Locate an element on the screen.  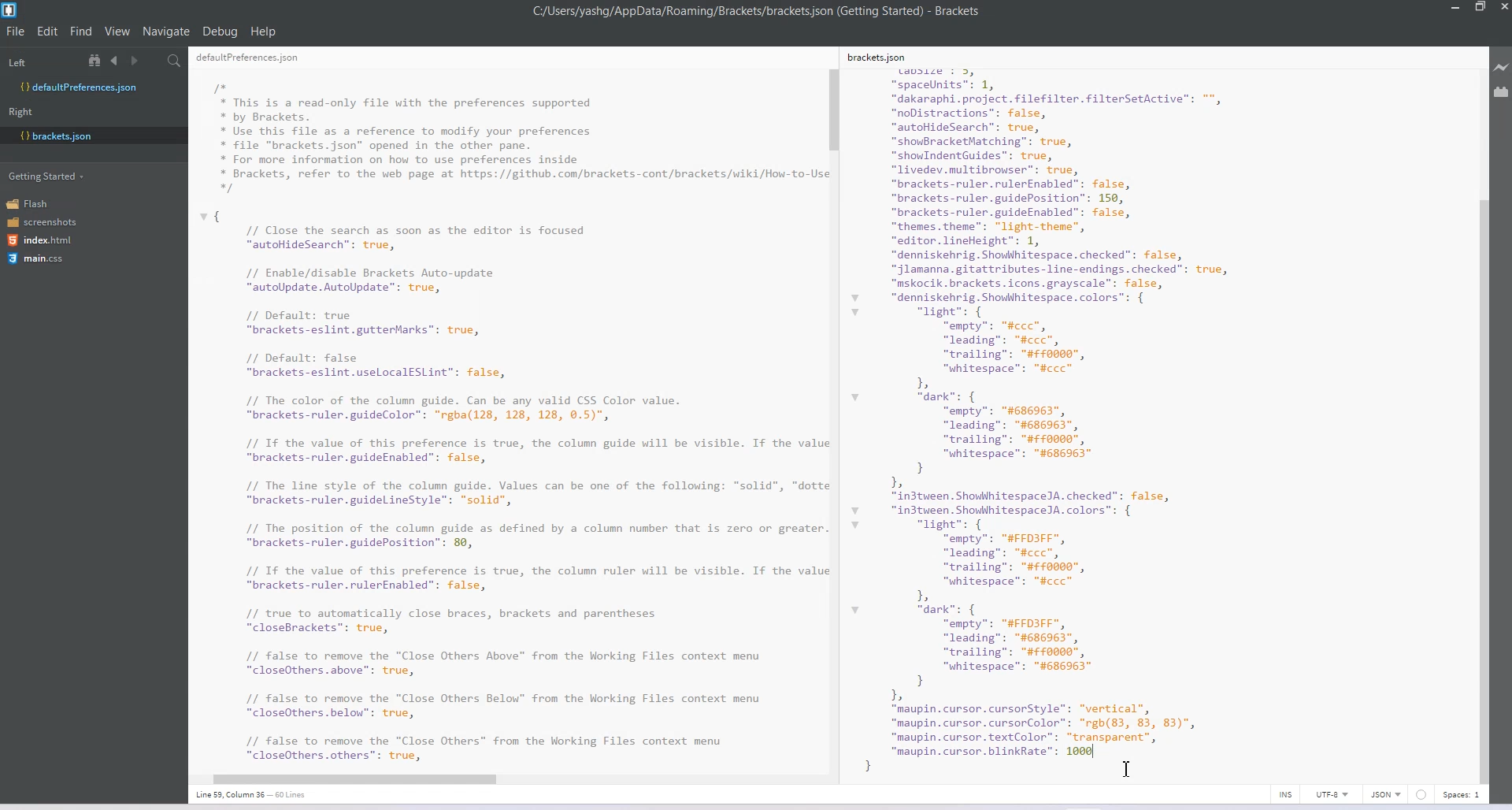
JSON is located at coordinates (1387, 794).